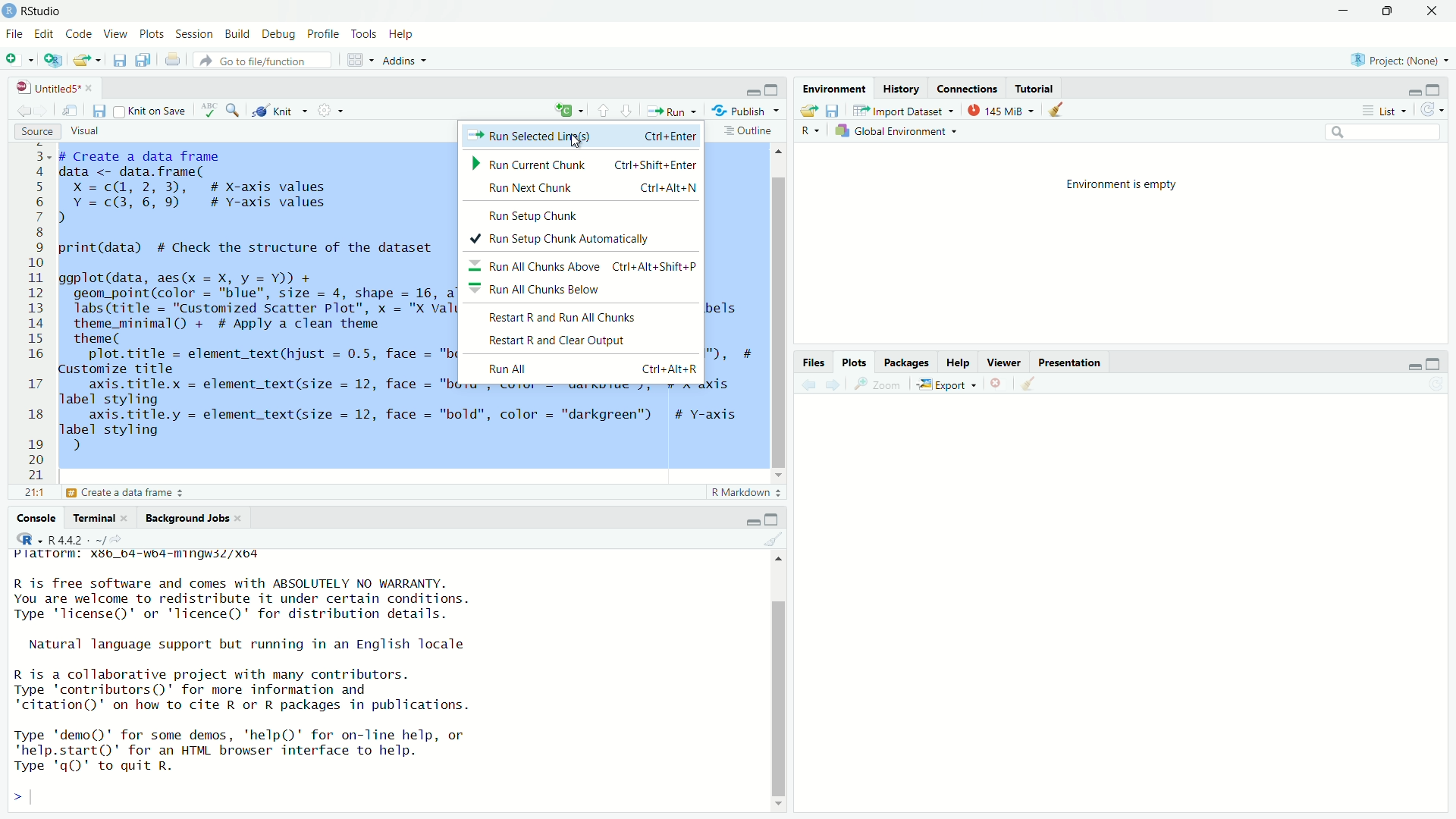  Describe the element at coordinates (1398, 61) in the screenshot. I see `Project (None)` at that location.